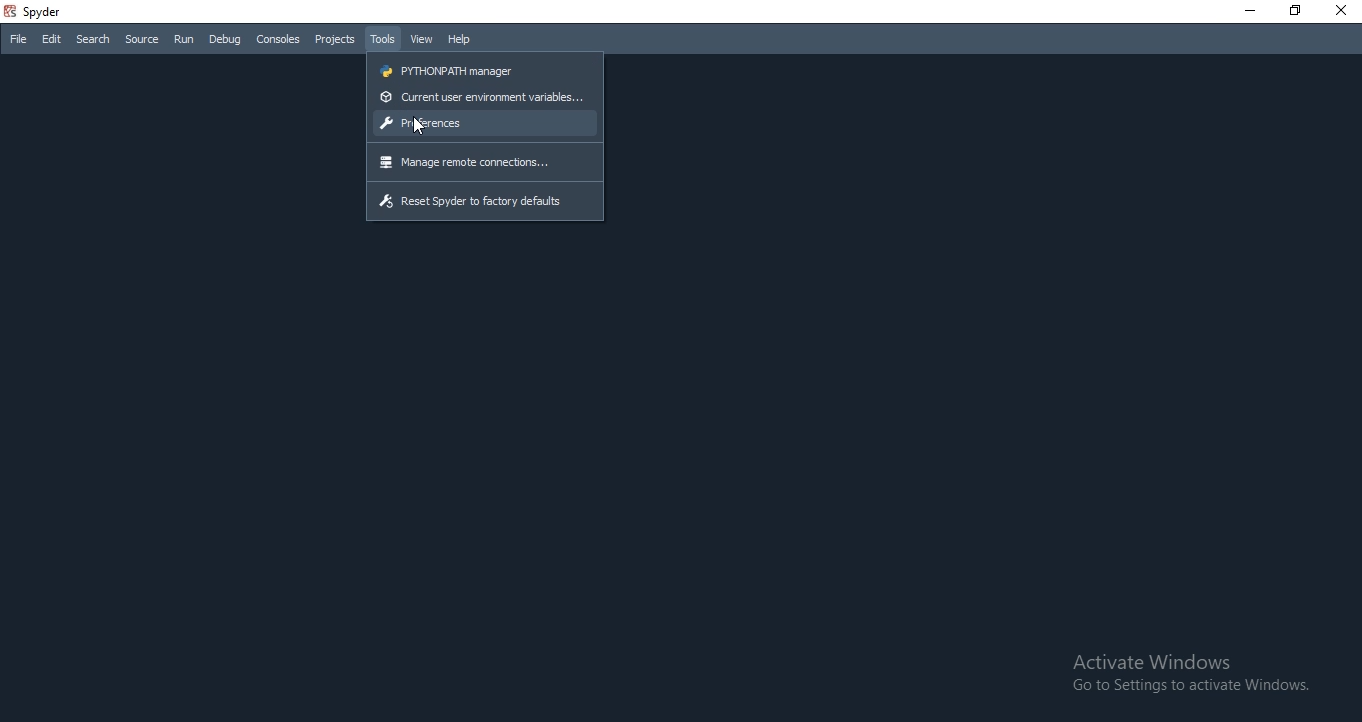 This screenshot has width=1362, height=722. Describe the element at coordinates (52, 38) in the screenshot. I see `Edit` at that location.